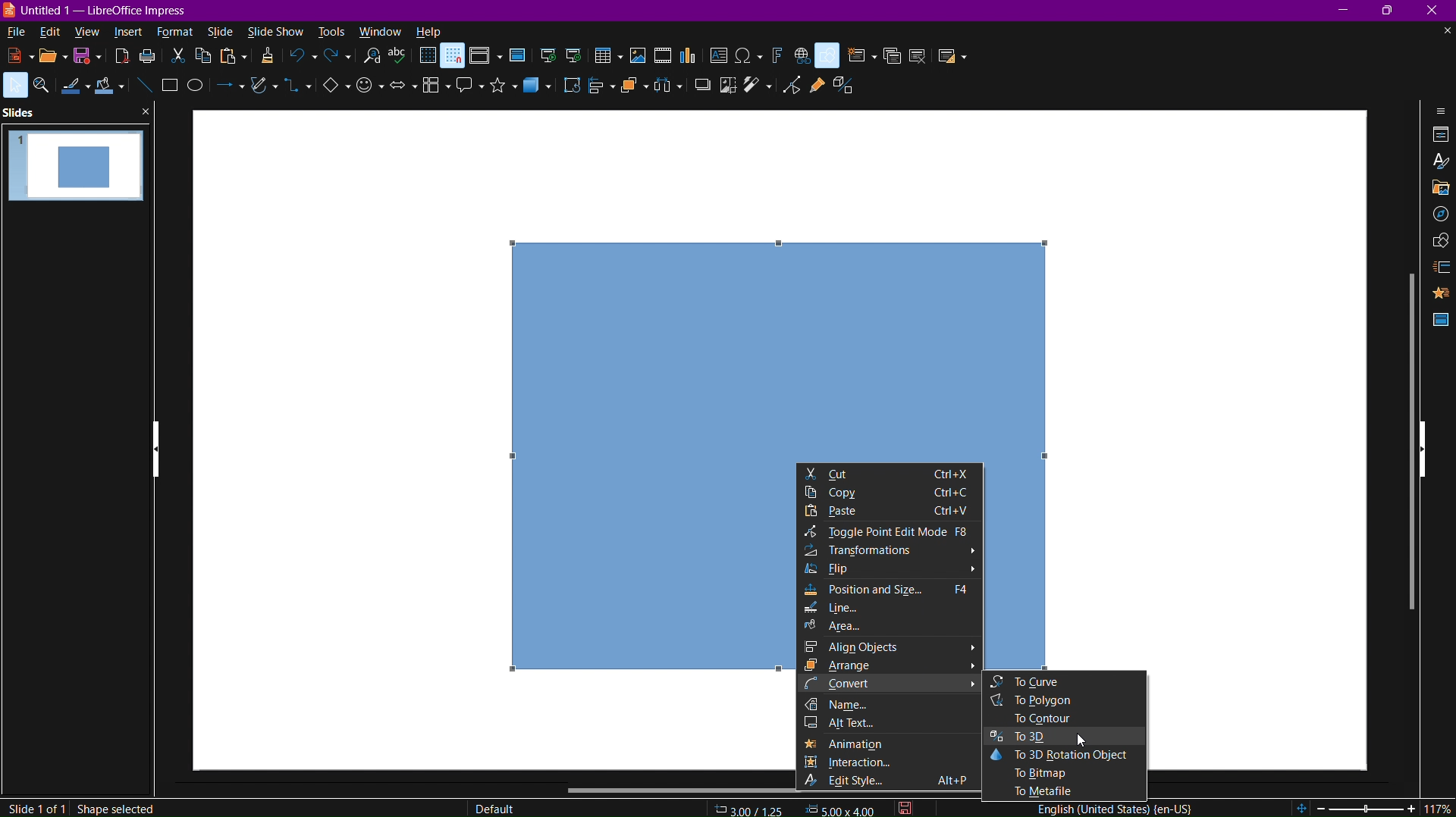  I want to click on Animation, so click(1441, 293).